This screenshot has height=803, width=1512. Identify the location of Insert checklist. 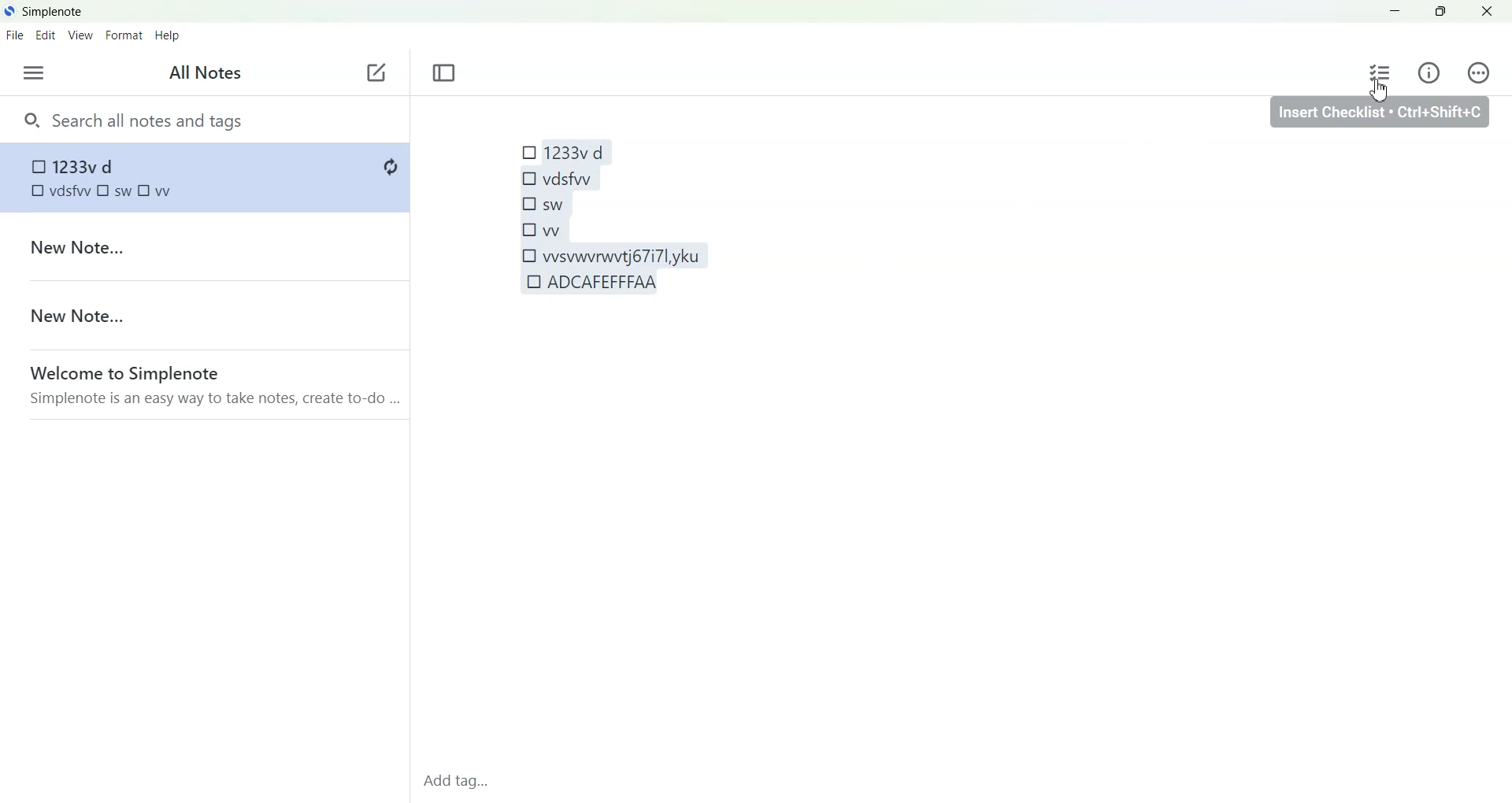
(1378, 72).